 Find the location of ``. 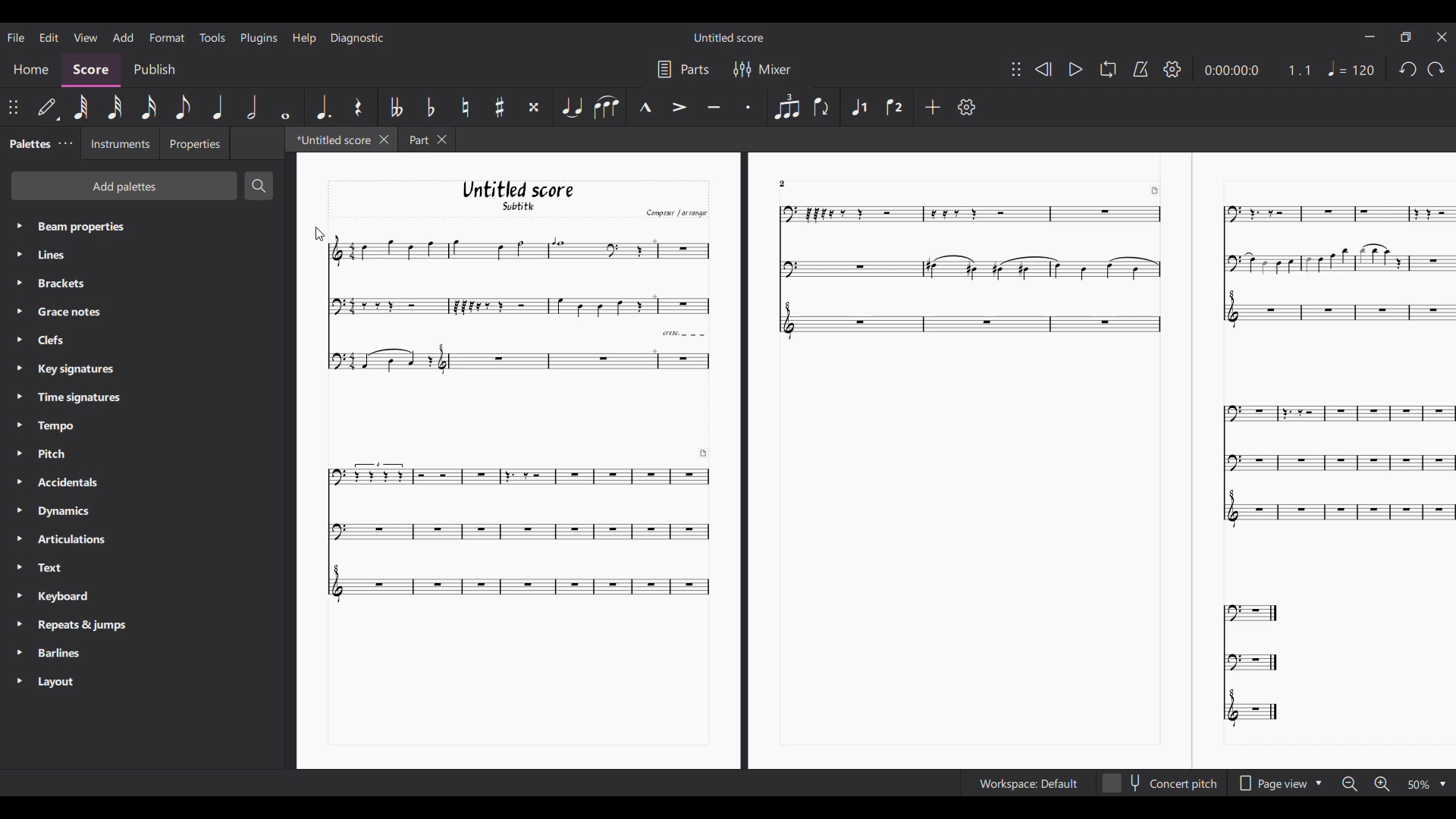

 is located at coordinates (664, 67).